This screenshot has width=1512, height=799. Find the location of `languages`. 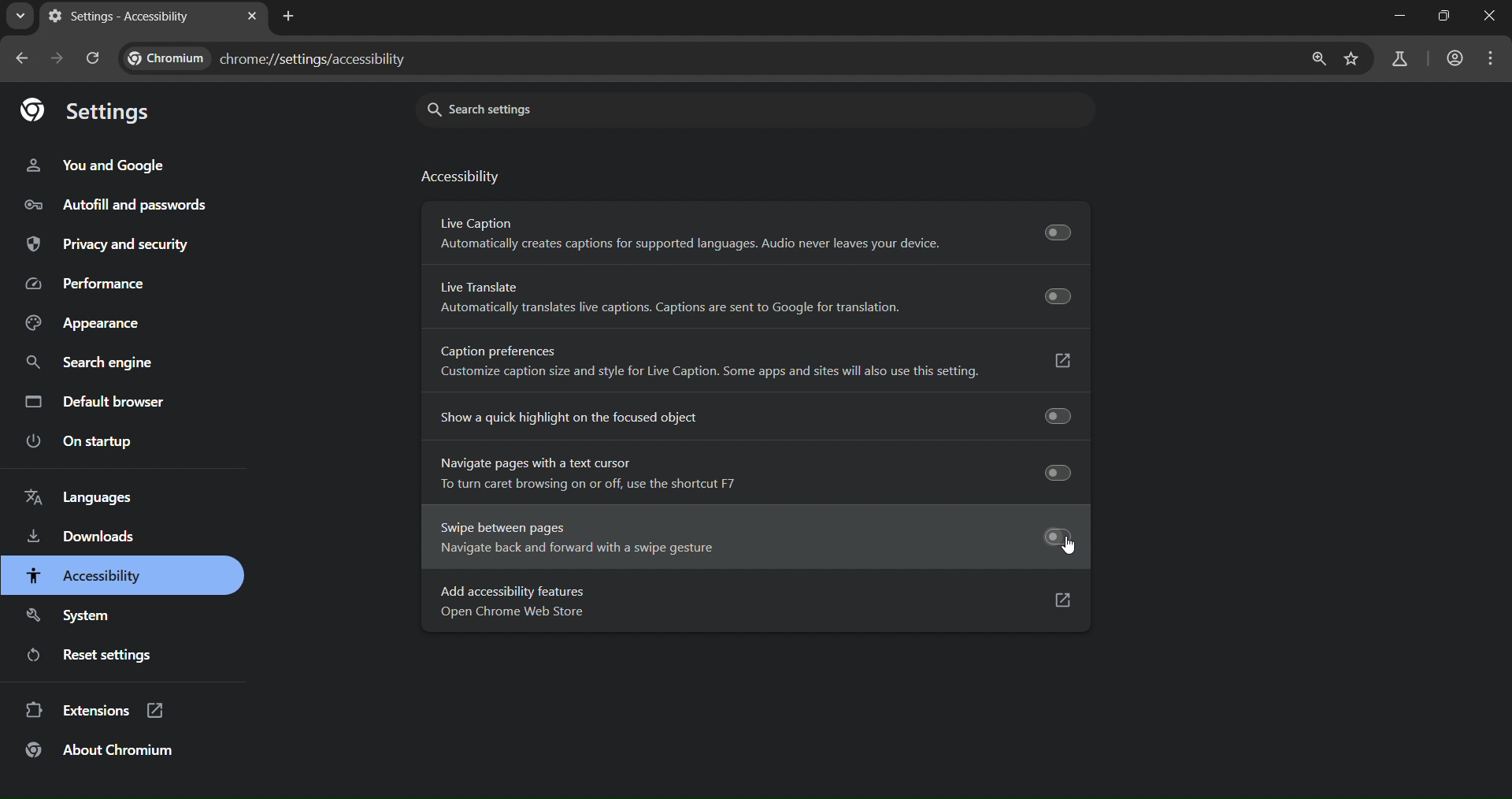

languages is located at coordinates (82, 497).